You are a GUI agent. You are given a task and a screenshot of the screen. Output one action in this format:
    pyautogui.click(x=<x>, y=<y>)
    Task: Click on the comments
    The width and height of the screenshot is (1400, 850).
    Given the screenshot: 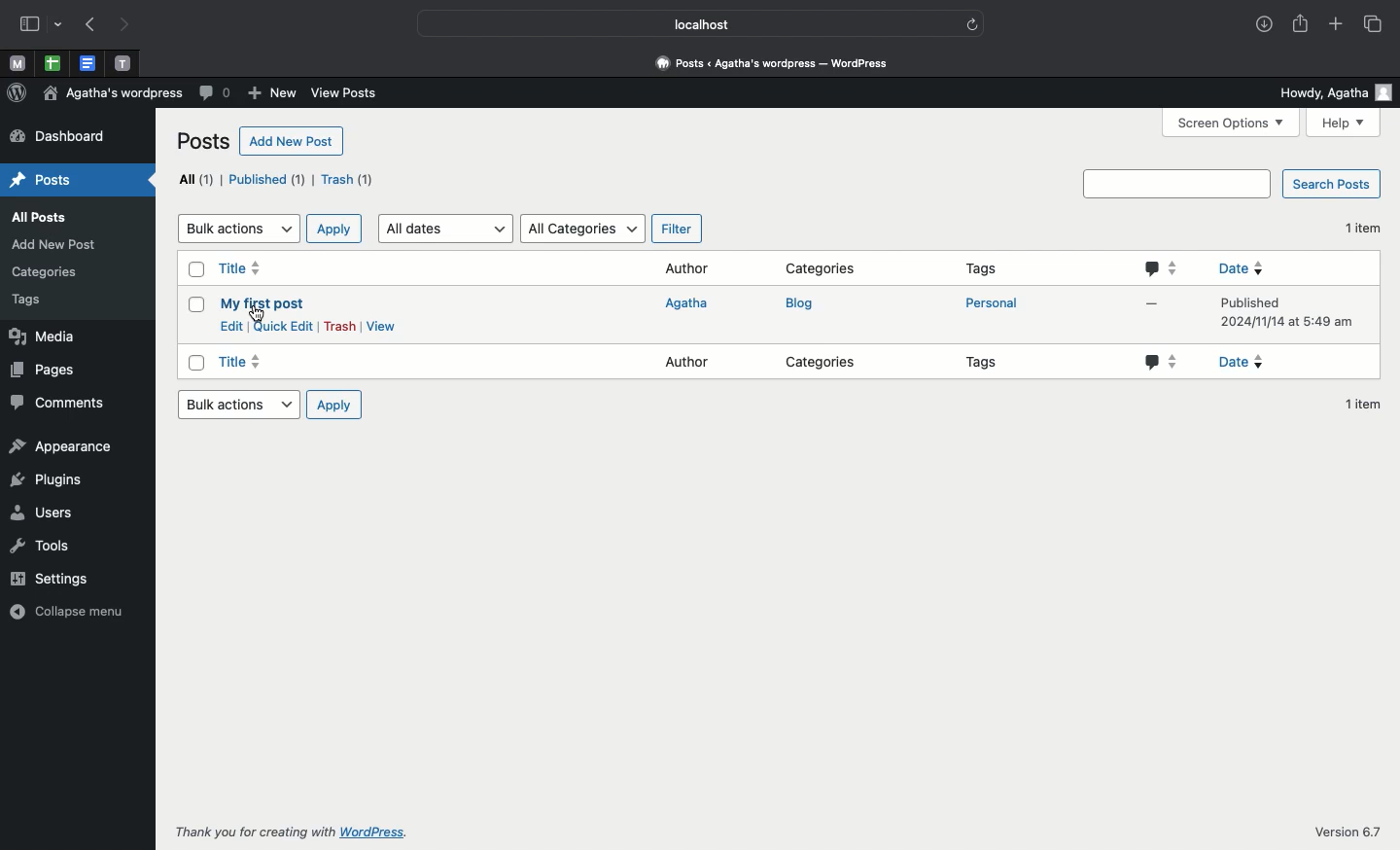 What is the action you would take?
    pyautogui.click(x=1163, y=363)
    